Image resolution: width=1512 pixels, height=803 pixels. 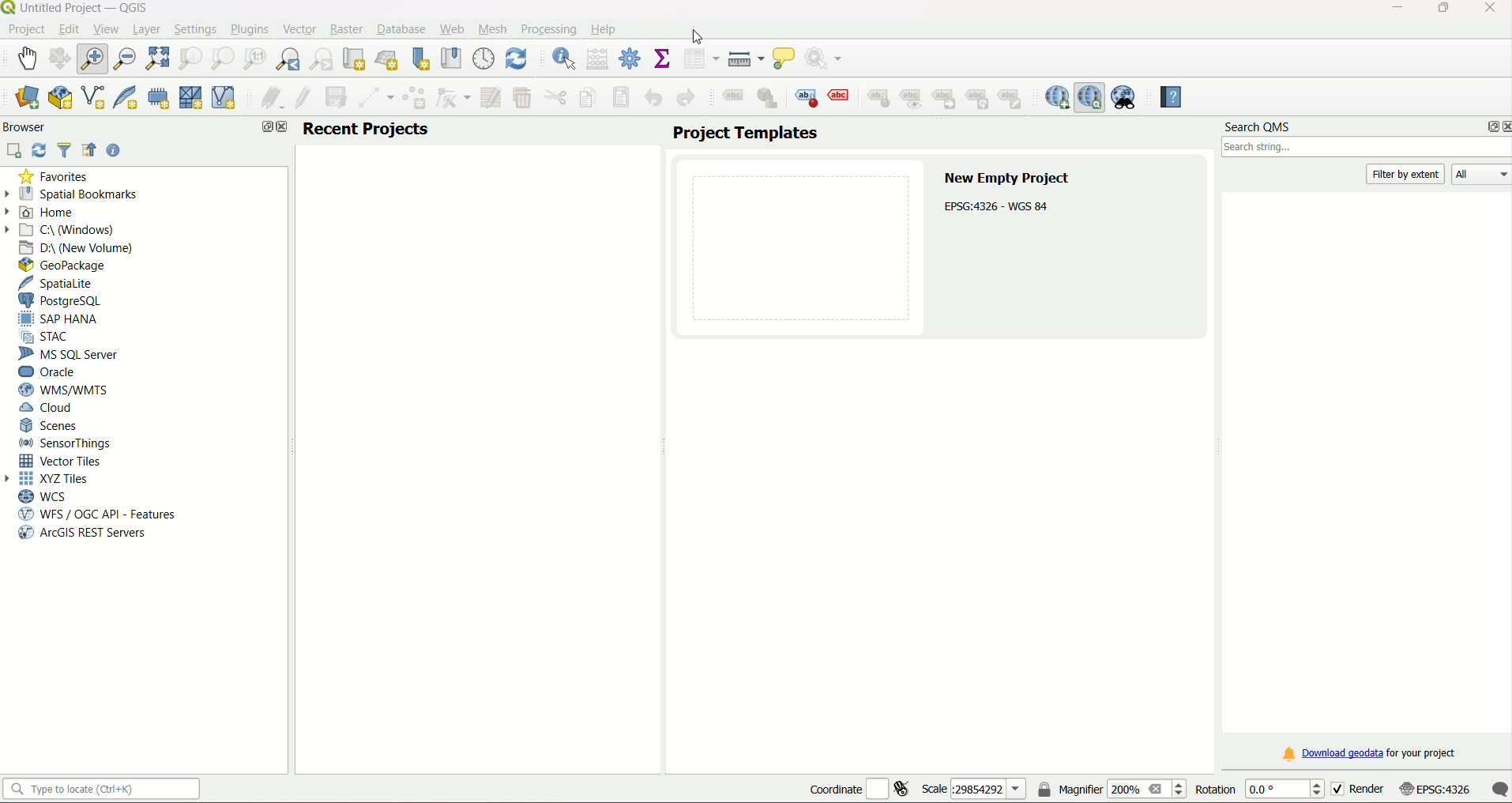 What do you see at coordinates (195, 28) in the screenshot?
I see `Settings` at bounding box center [195, 28].